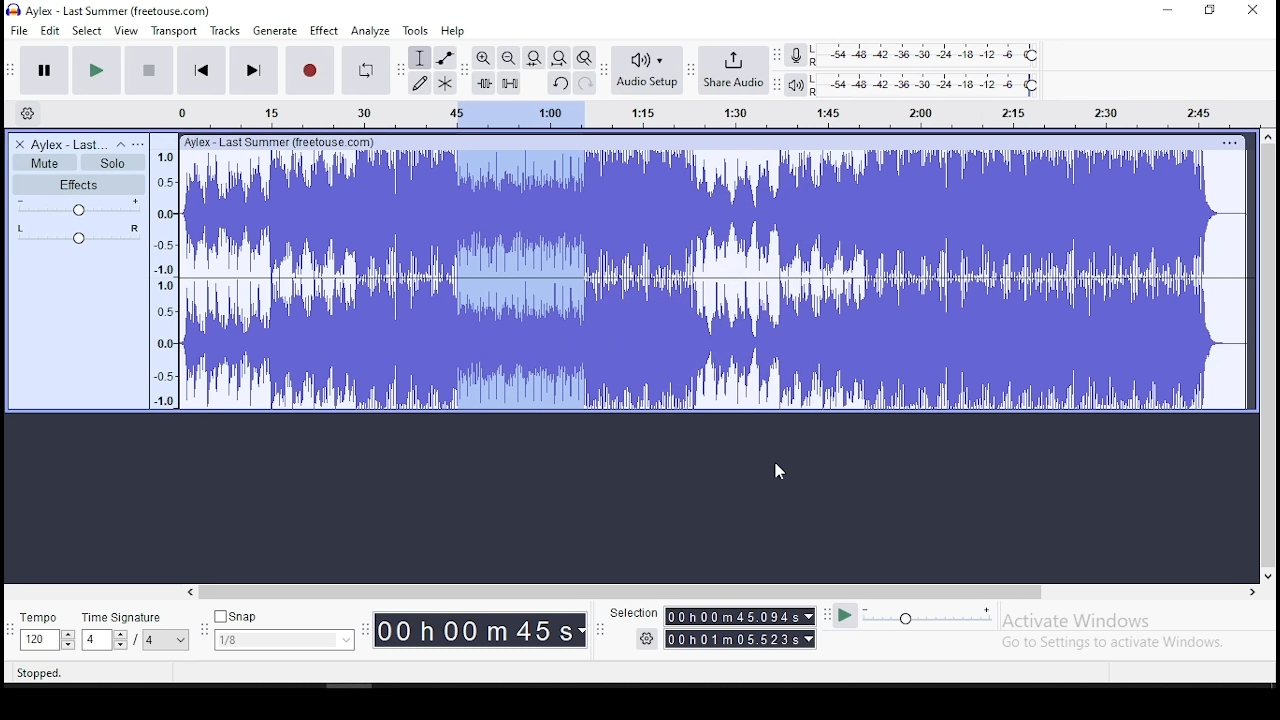 The height and width of the screenshot is (720, 1280). I want to click on envelope tool, so click(445, 58).